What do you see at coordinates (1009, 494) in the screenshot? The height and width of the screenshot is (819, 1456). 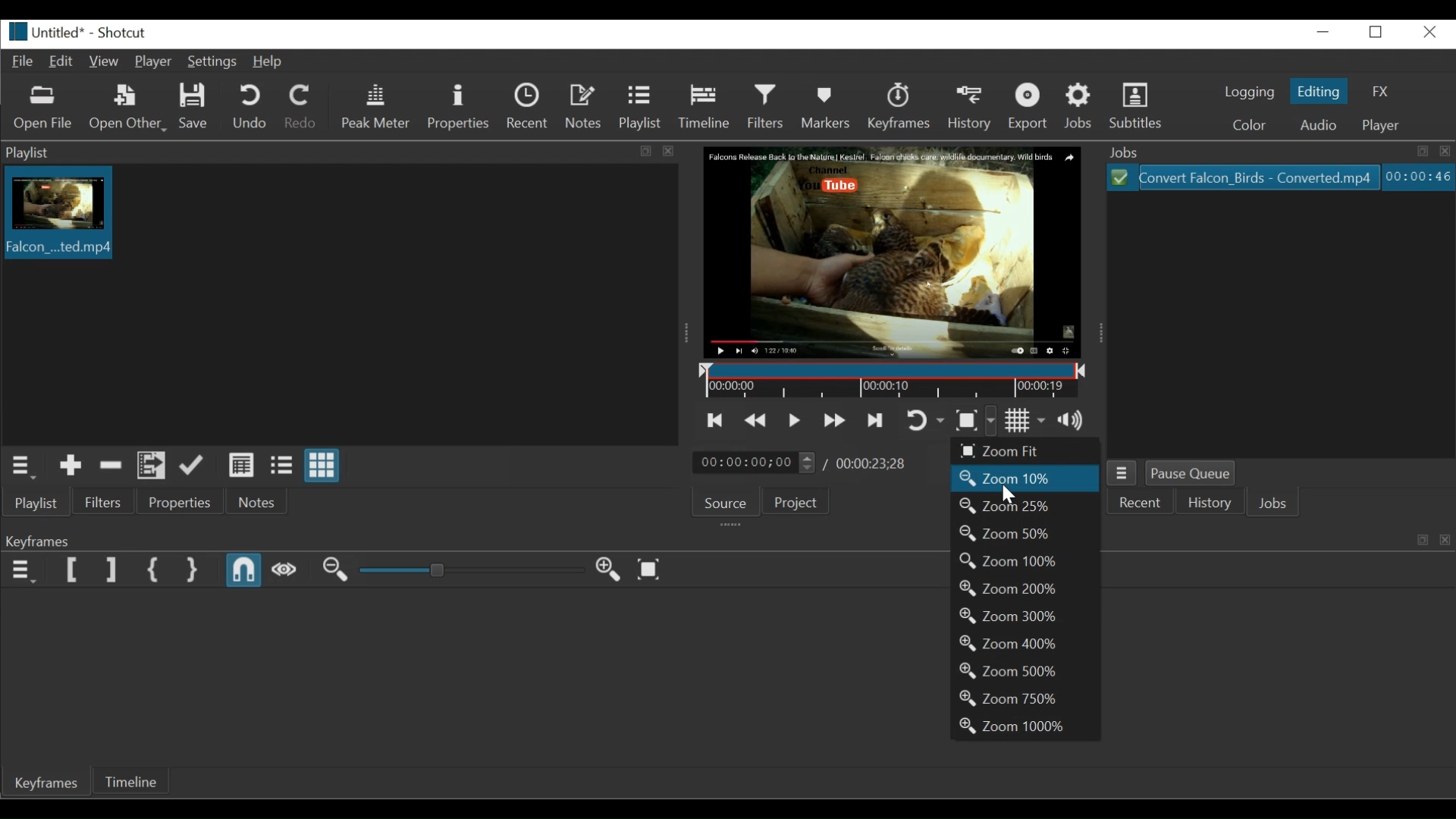 I see `Cursor` at bounding box center [1009, 494].